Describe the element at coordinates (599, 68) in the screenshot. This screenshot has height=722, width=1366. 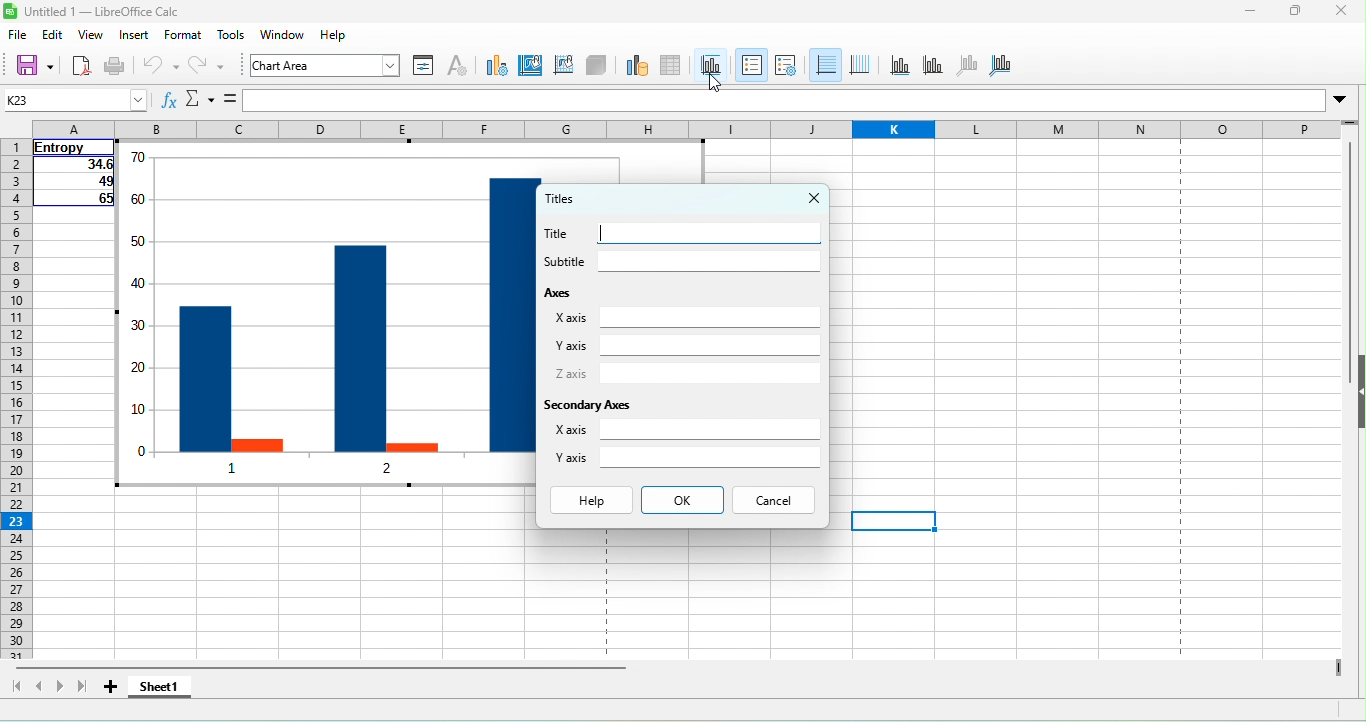
I see `3 d view` at that location.